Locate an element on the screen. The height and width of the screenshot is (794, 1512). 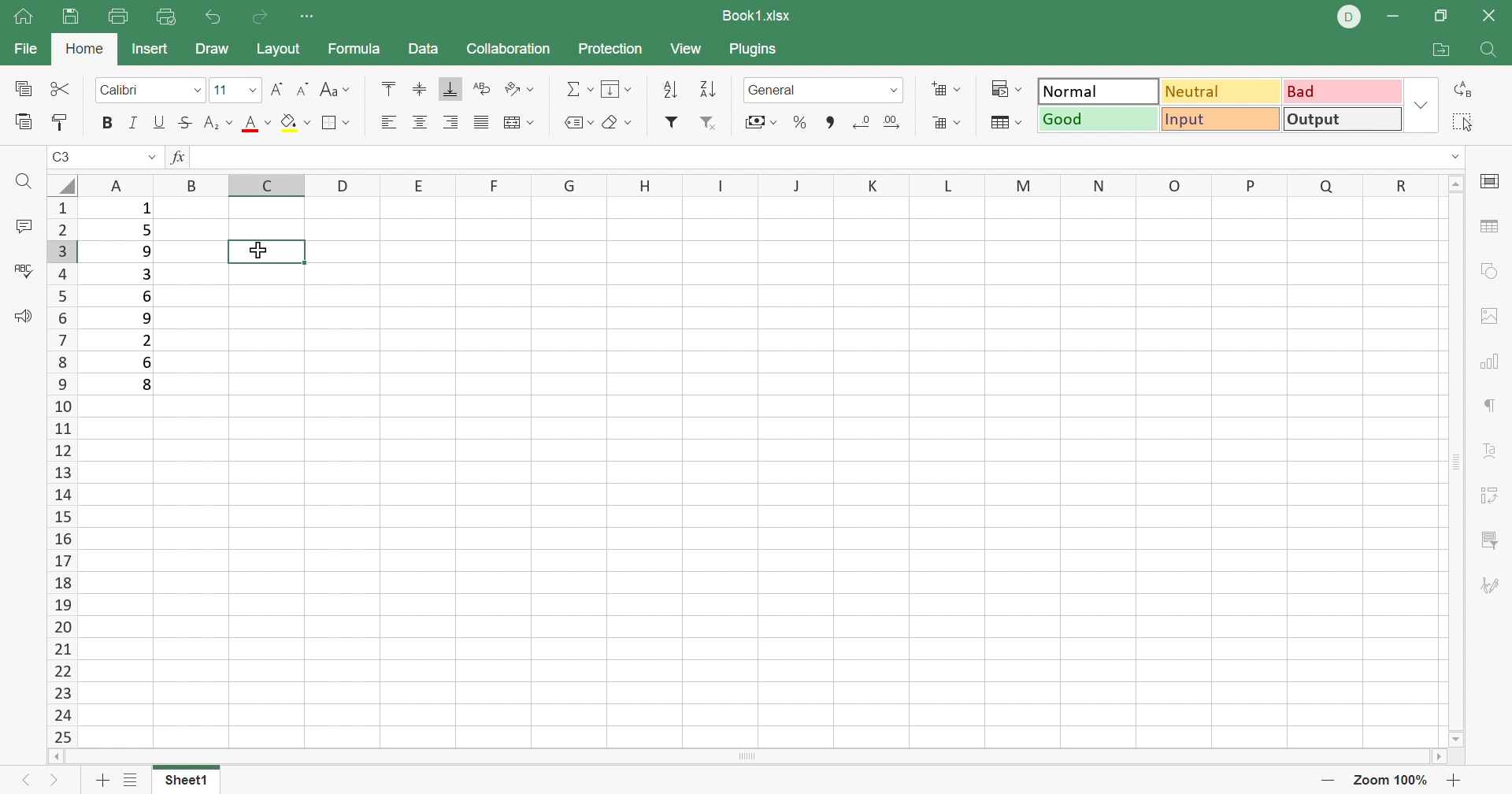
Fill is located at coordinates (617, 87).